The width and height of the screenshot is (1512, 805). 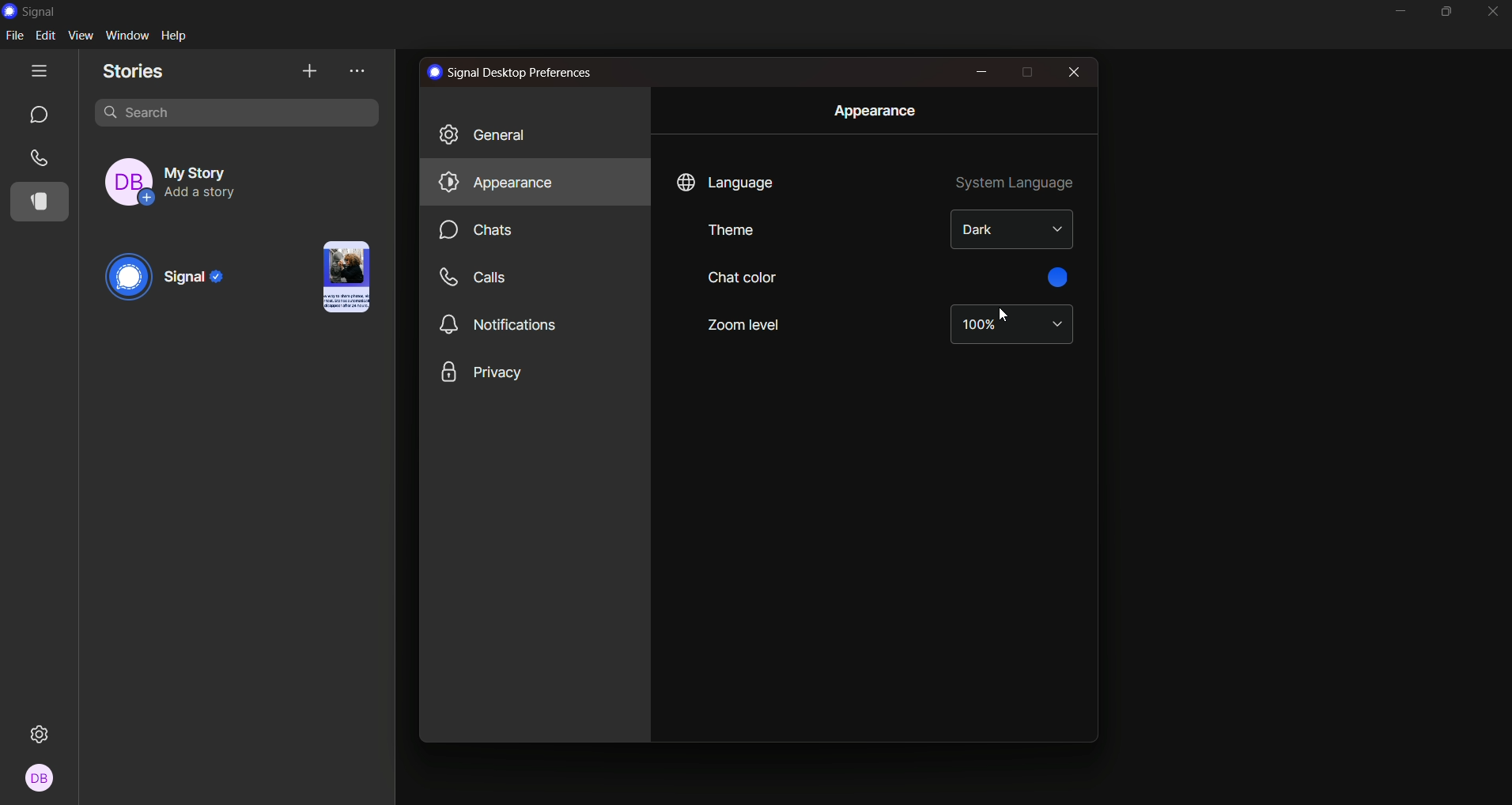 I want to click on edit, so click(x=47, y=37).